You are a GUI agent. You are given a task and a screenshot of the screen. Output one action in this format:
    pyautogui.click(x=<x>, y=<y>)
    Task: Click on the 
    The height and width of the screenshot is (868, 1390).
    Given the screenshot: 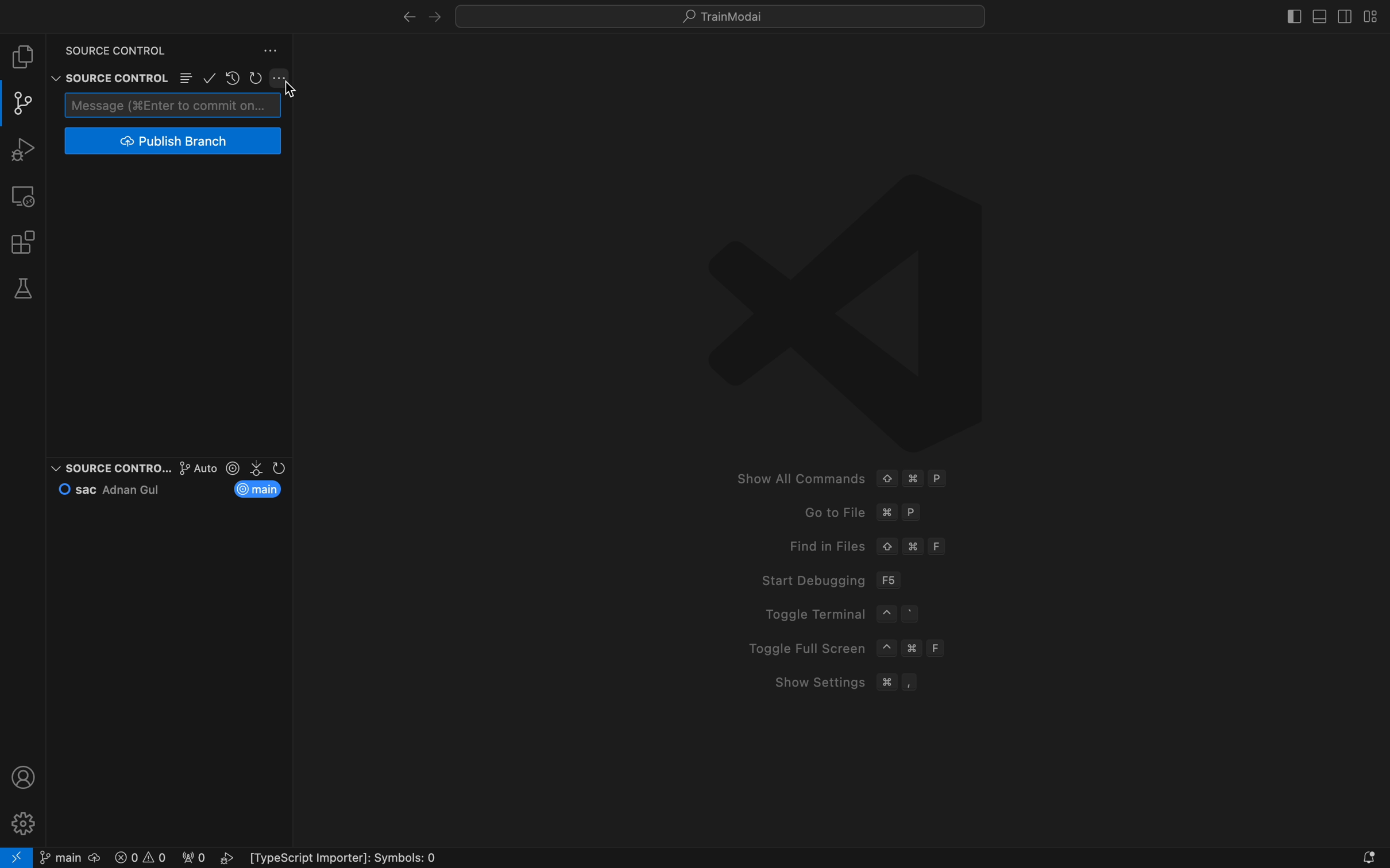 What is the action you would take?
    pyautogui.click(x=186, y=79)
    